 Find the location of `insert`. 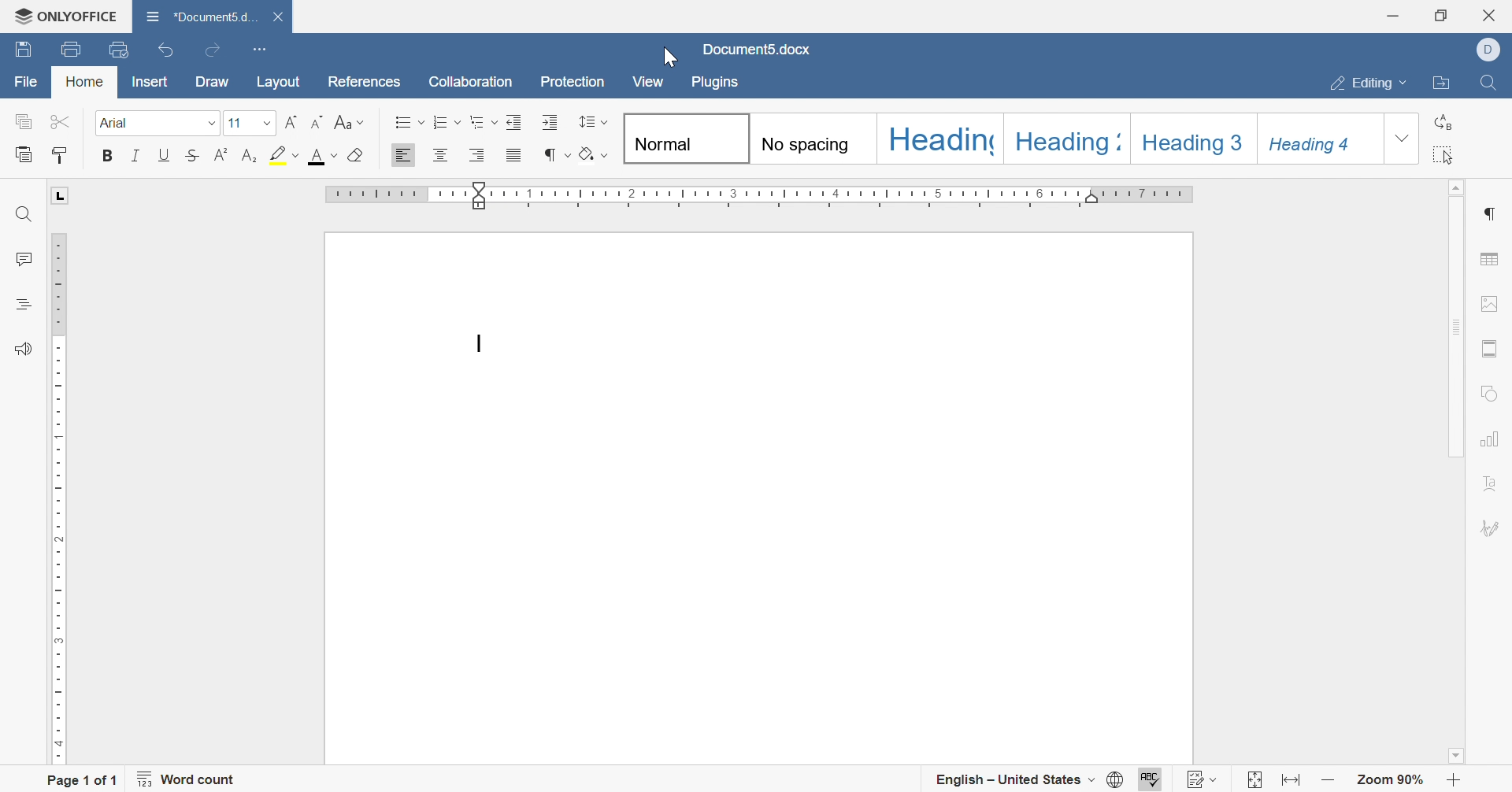

insert is located at coordinates (146, 84).